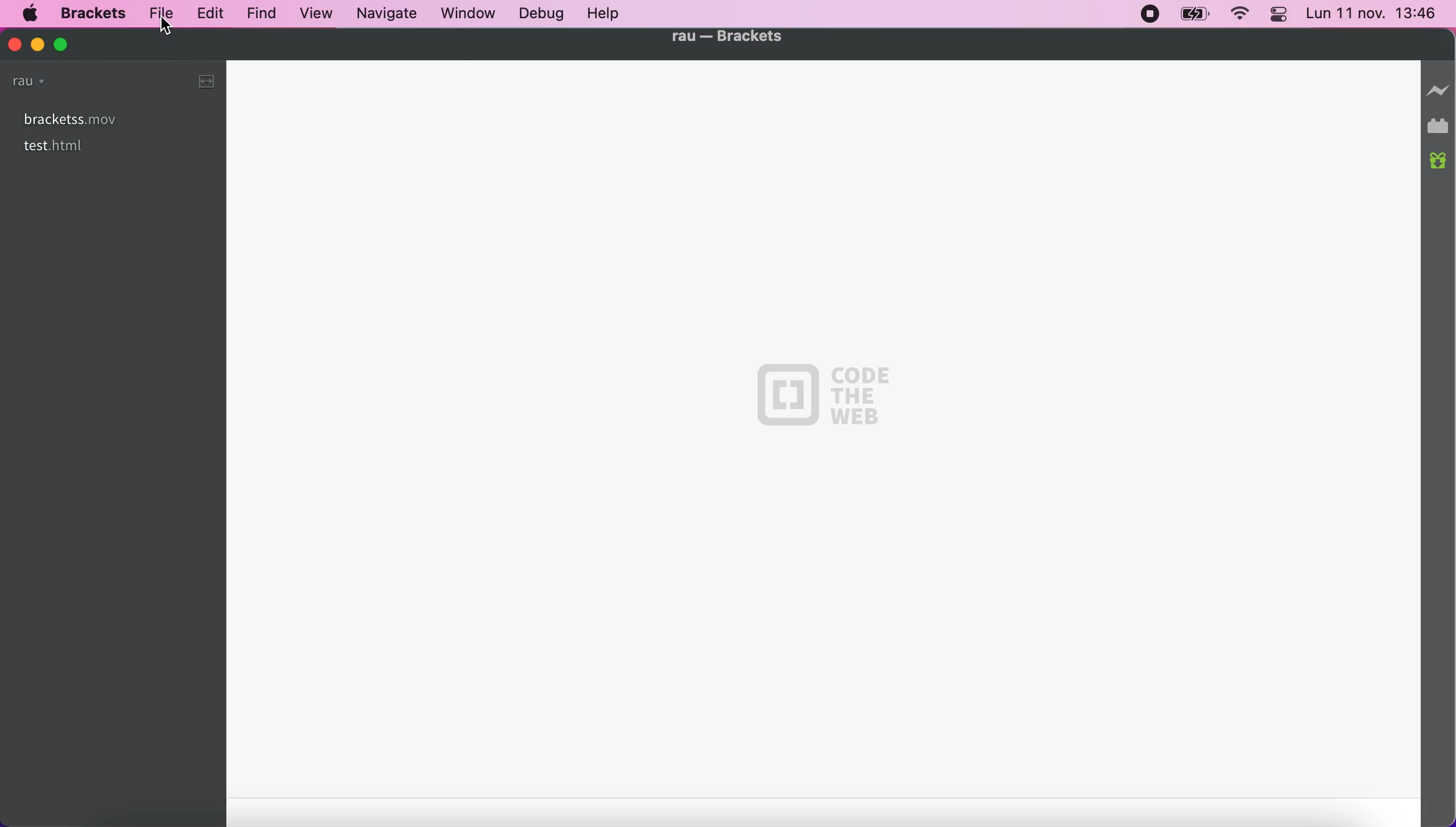  Describe the element at coordinates (727, 37) in the screenshot. I see `file name` at that location.